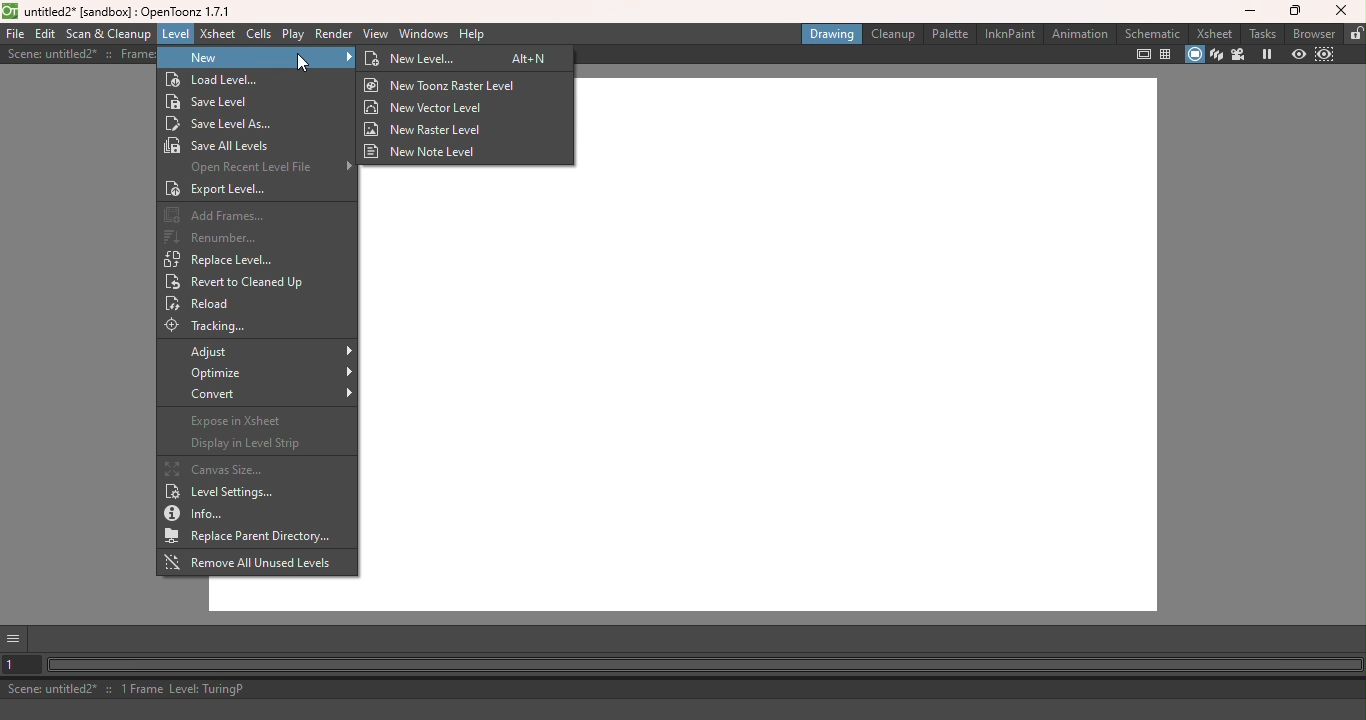  What do you see at coordinates (20, 667) in the screenshot?
I see `Set the current frame` at bounding box center [20, 667].